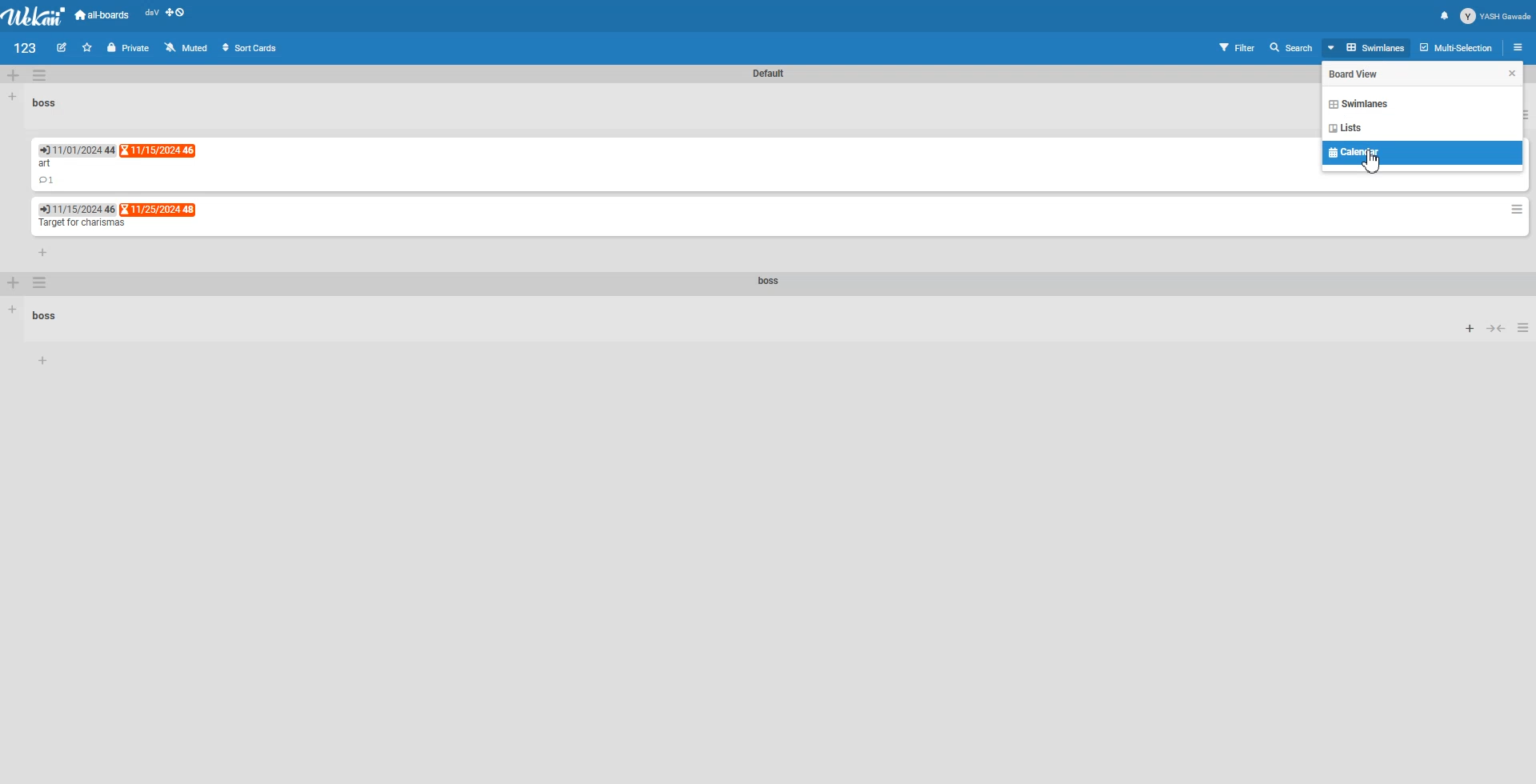 The image size is (1536, 784). I want to click on Show desktop Drag Handle, so click(177, 13).